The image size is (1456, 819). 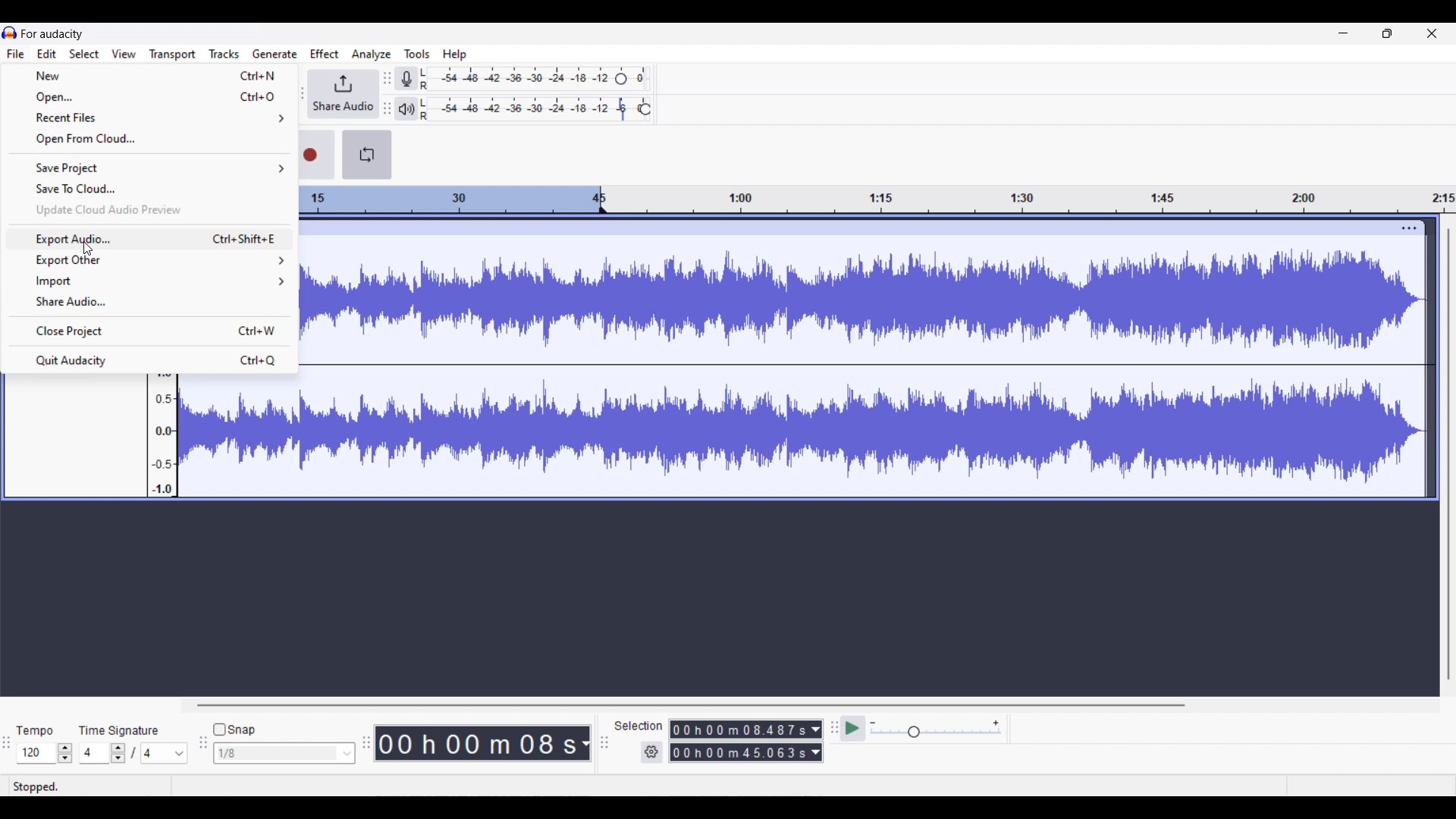 What do you see at coordinates (849, 359) in the screenshot?
I see `Current track` at bounding box center [849, 359].